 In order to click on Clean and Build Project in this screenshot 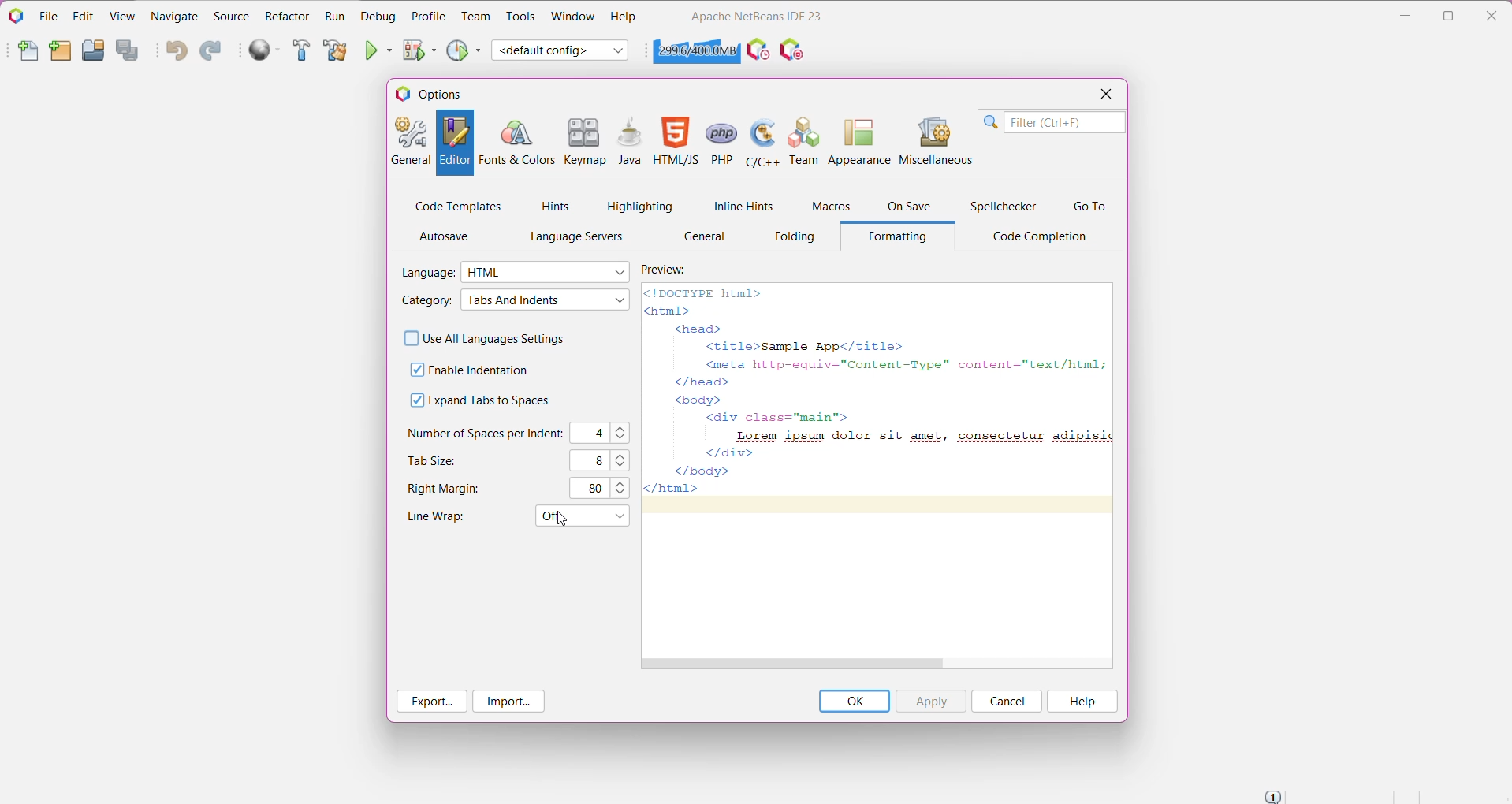, I will do `click(334, 51)`.